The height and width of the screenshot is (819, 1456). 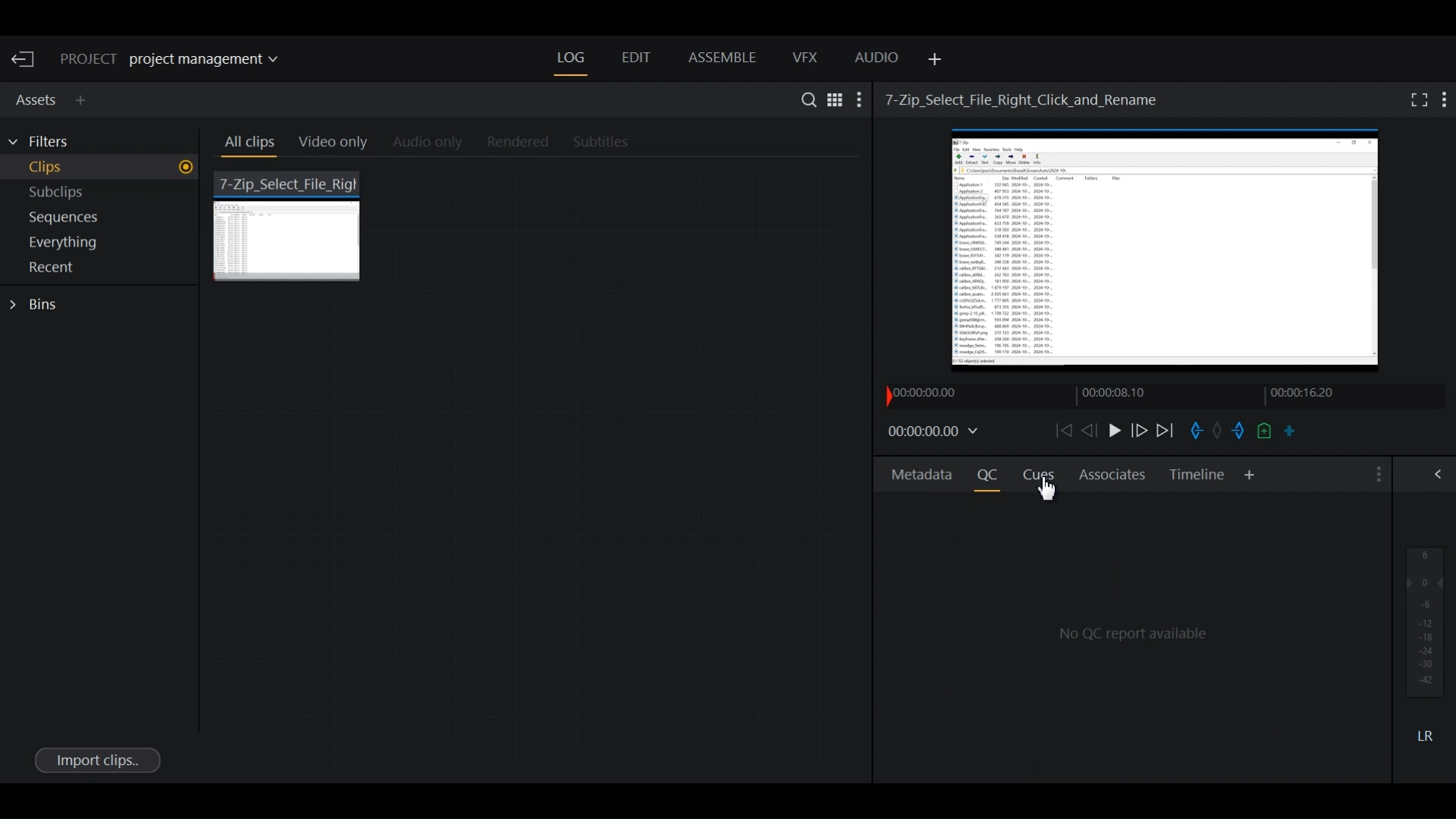 What do you see at coordinates (340, 145) in the screenshot?
I see `Video Only` at bounding box center [340, 145].